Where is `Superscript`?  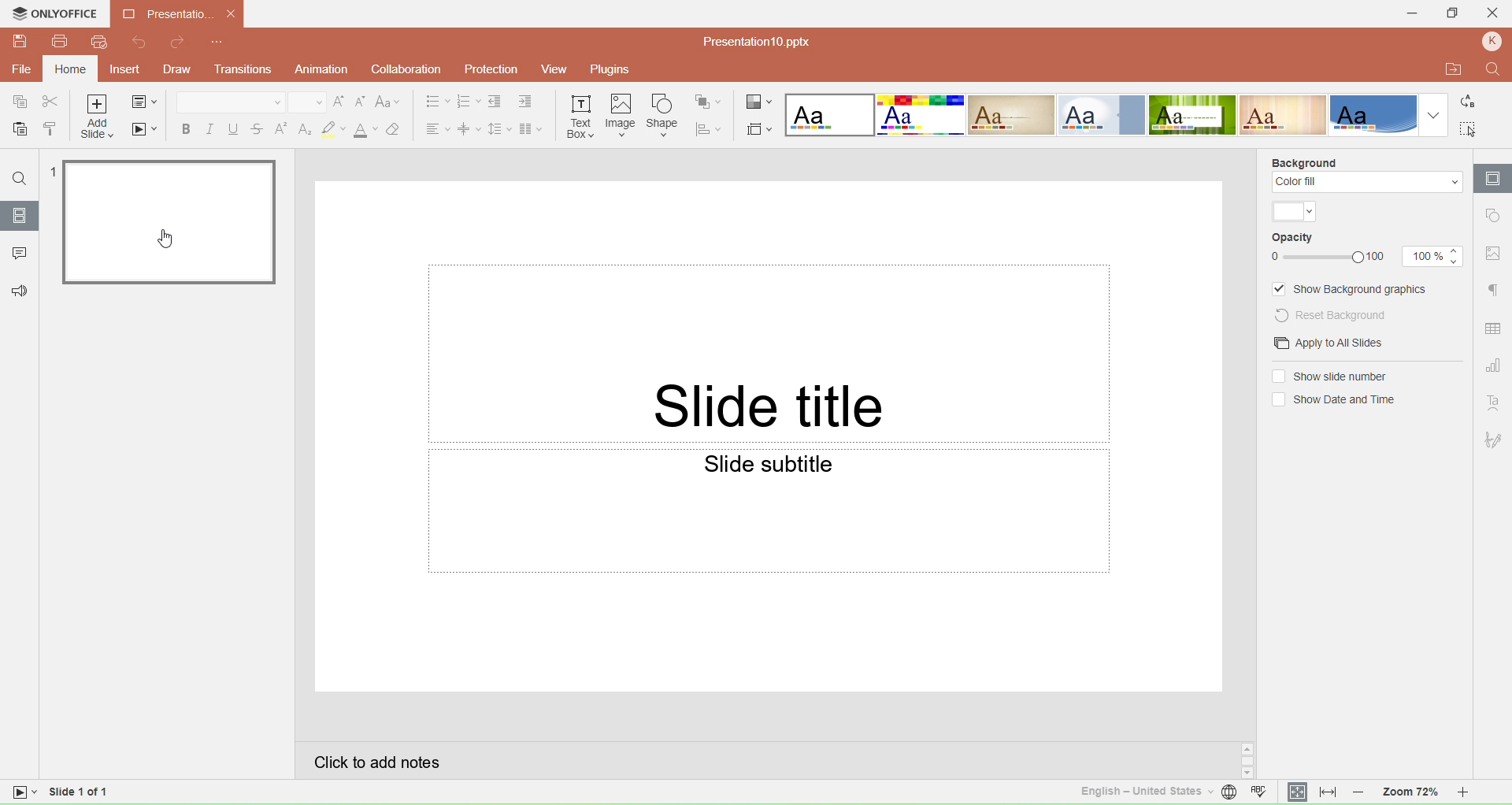
Superscript is located at coordinates (281, 128).